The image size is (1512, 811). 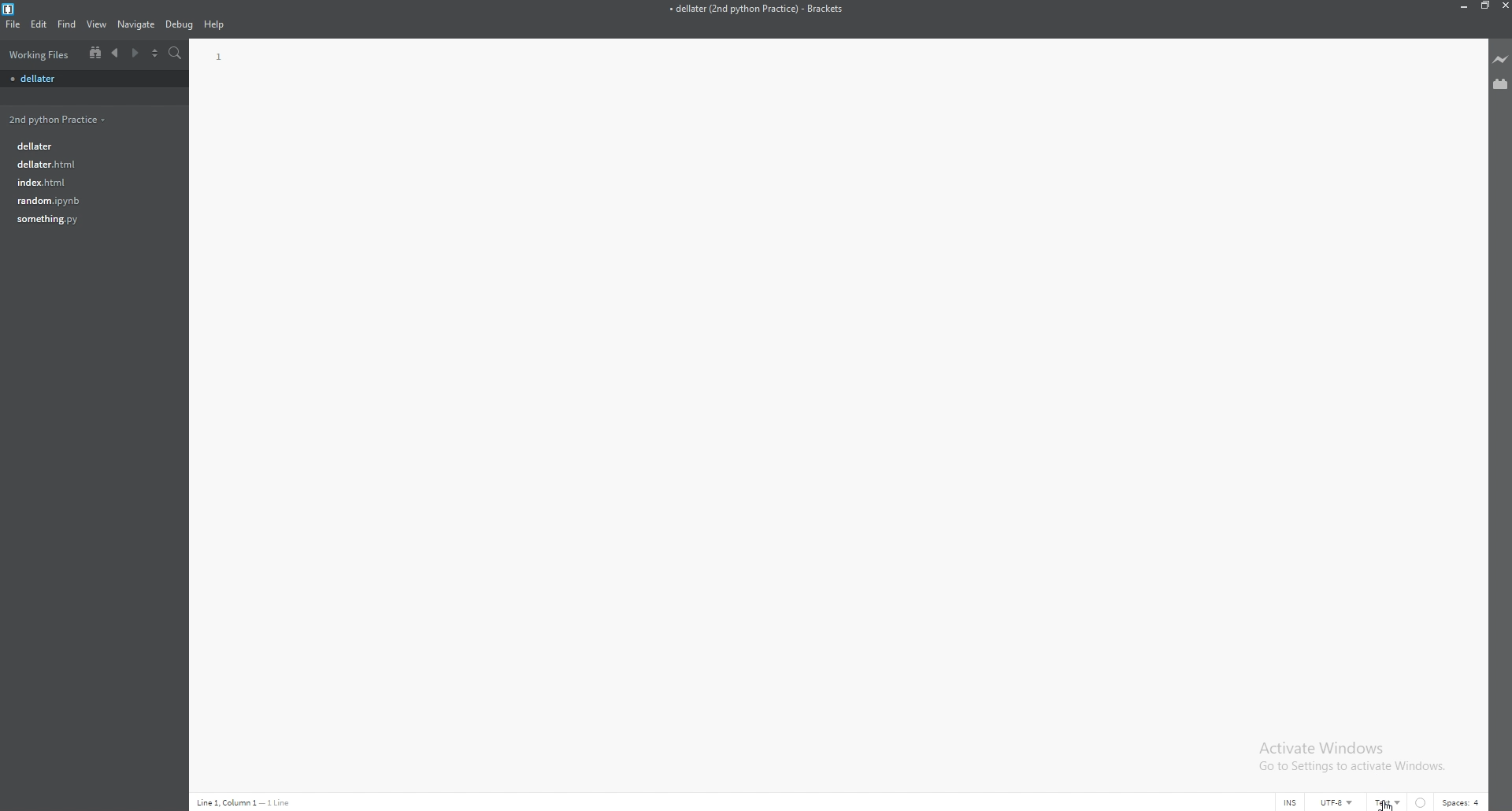 I want to click on file, so click(x=91, y=80).